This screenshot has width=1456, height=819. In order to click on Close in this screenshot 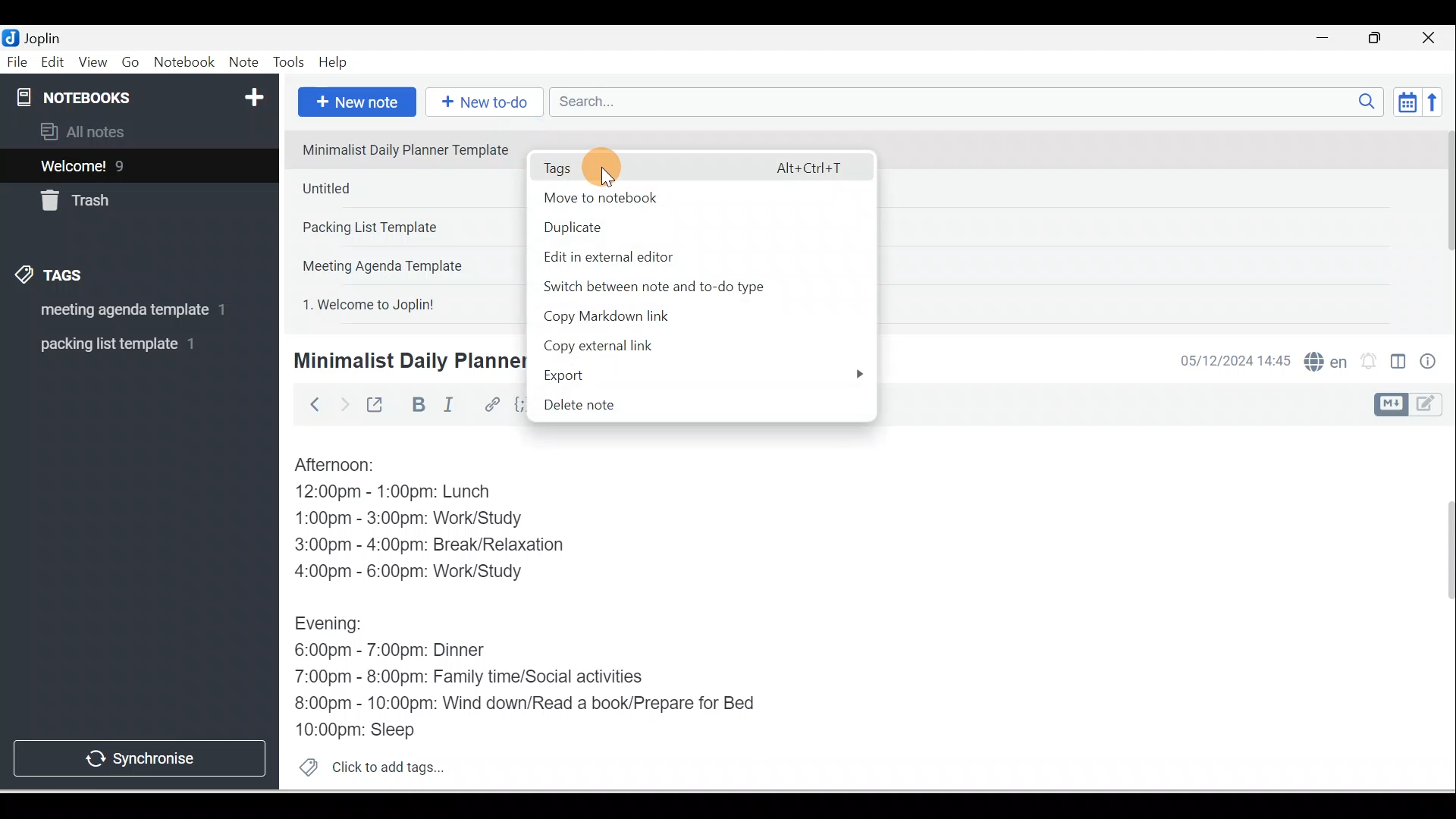, I will do `click(1432, 38)`.